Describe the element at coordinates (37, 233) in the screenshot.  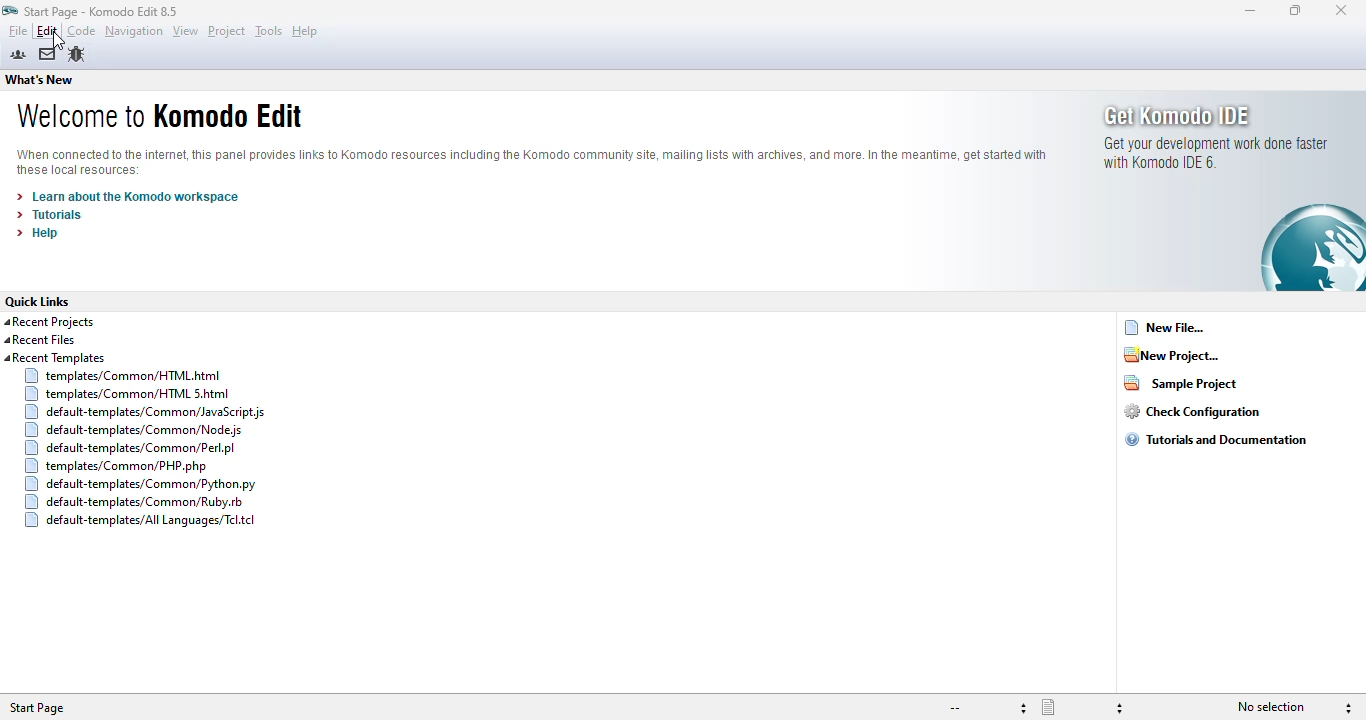
I see `help` at that location.